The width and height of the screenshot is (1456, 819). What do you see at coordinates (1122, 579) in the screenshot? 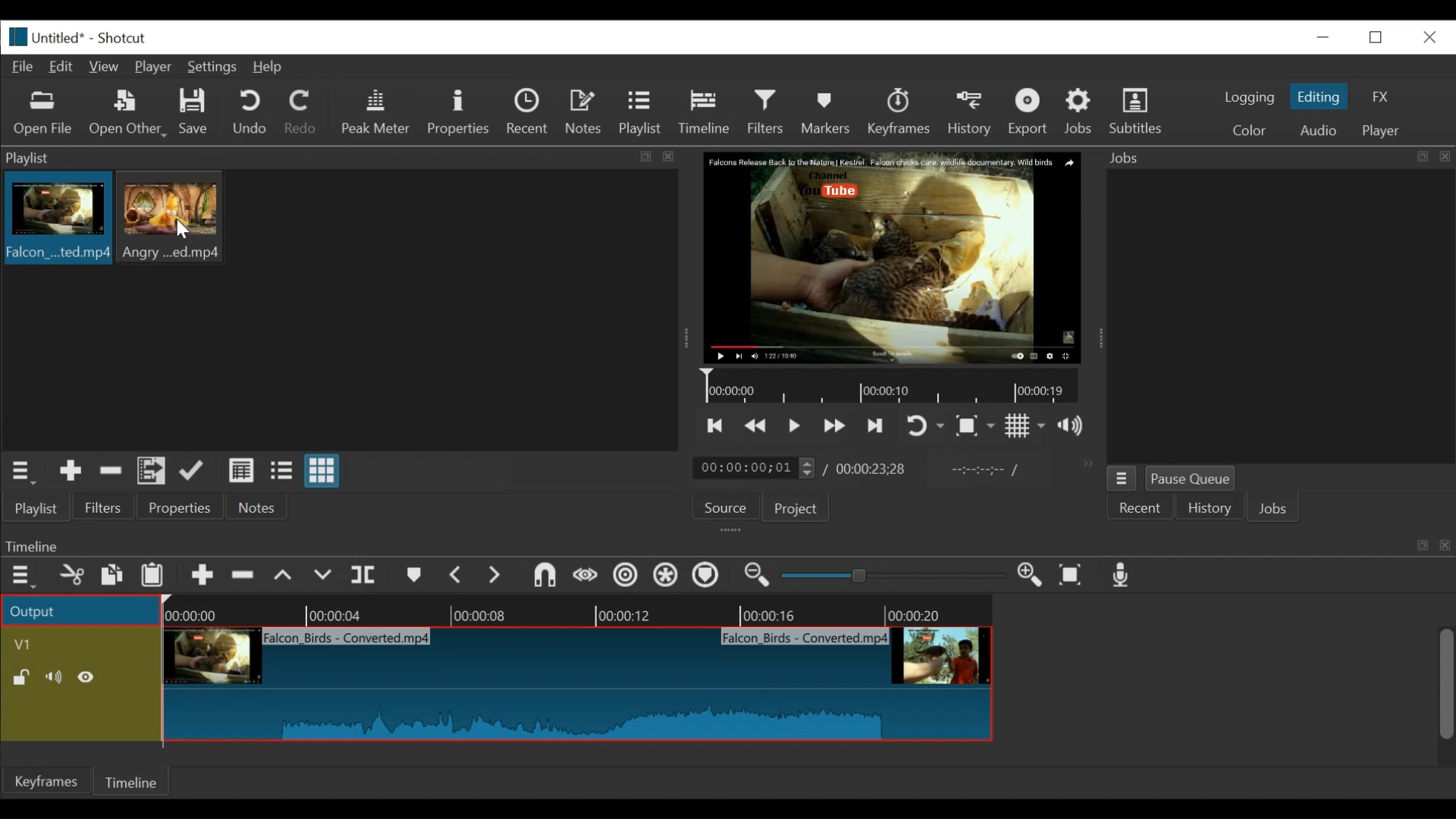
I see `Record audio` at bounding box center [1122, 579].